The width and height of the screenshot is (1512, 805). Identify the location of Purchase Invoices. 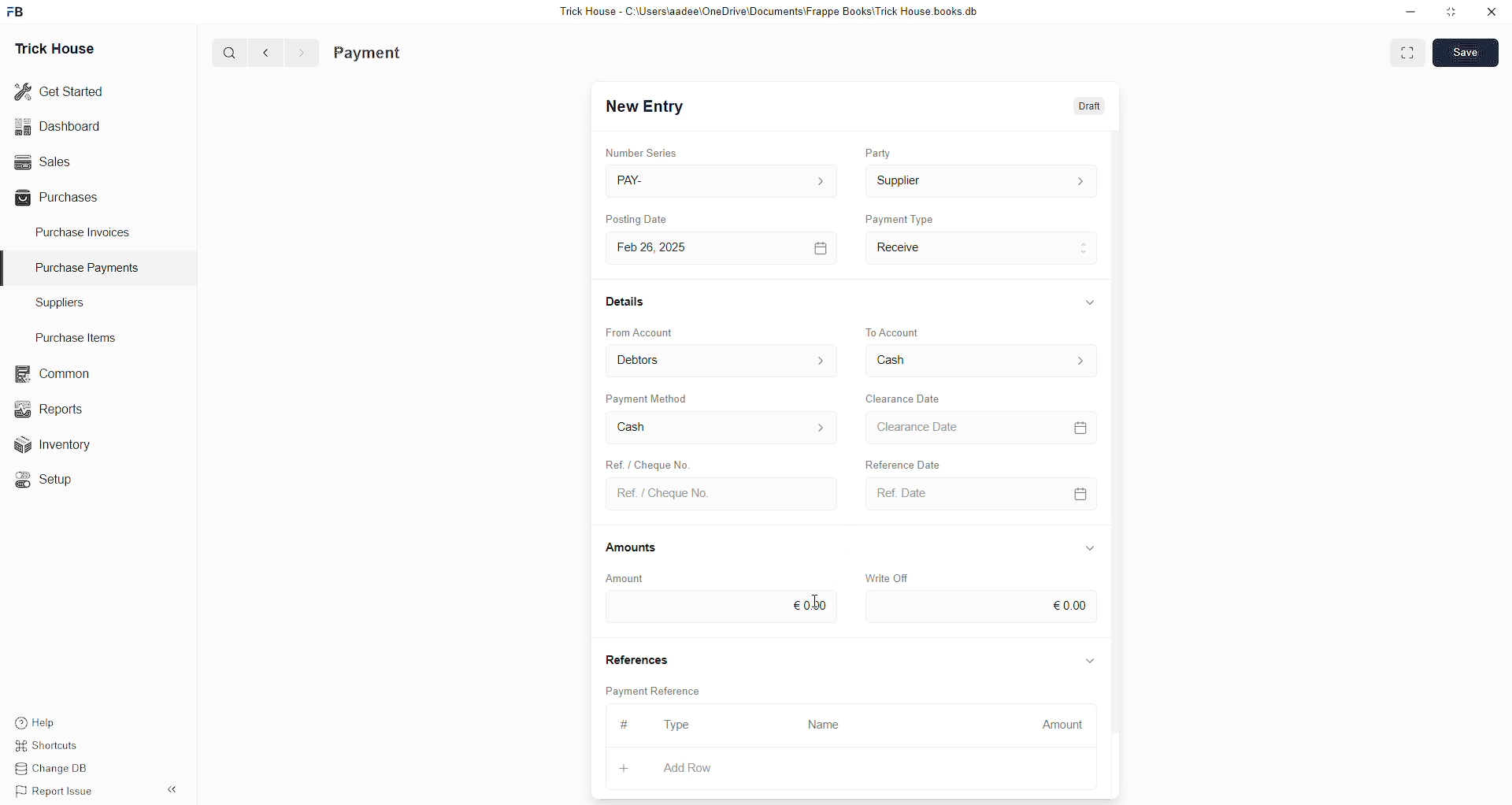
(81, 235).